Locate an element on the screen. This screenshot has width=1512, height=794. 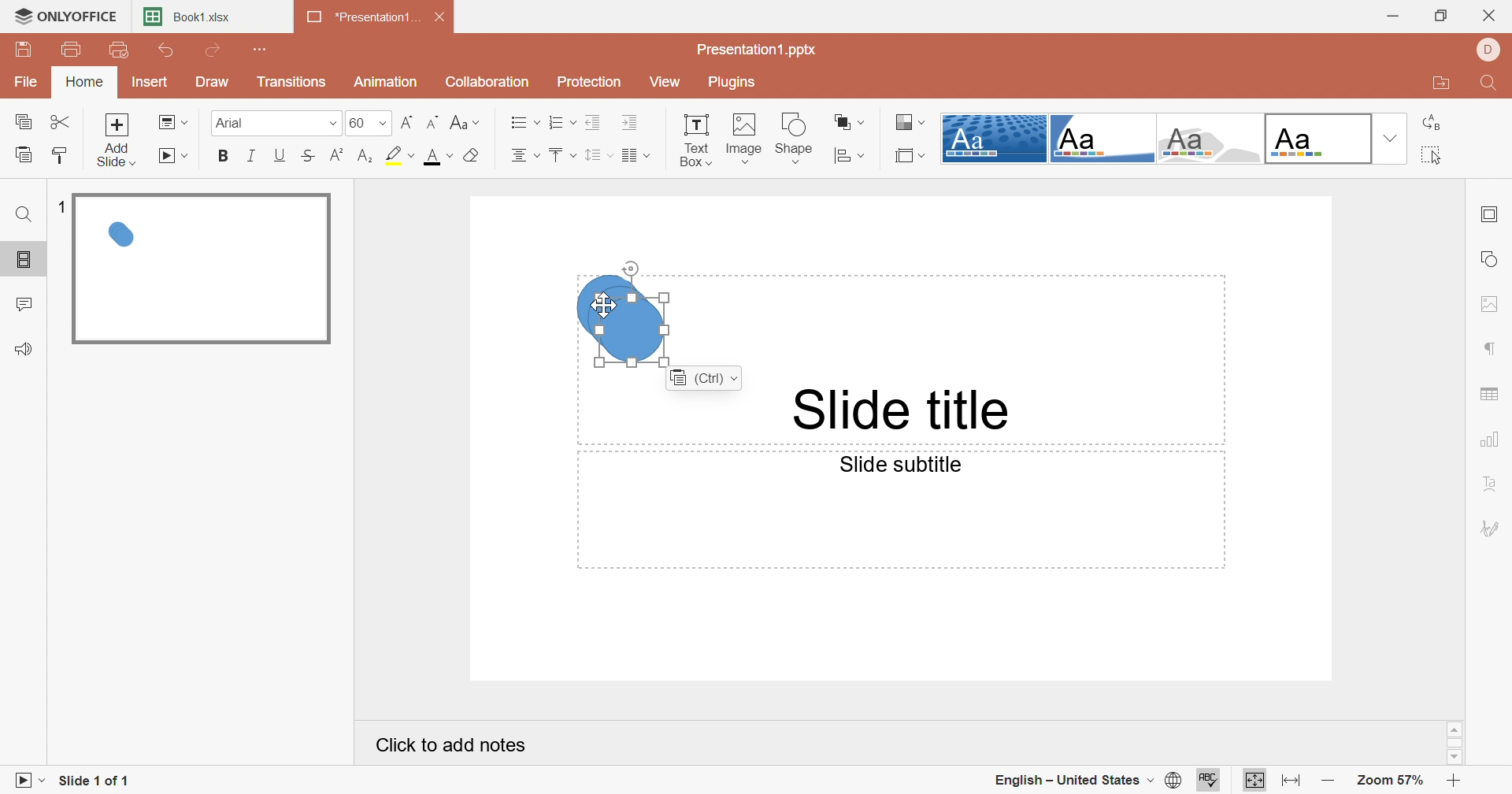
Replace is located at coordinates (1432, 123).